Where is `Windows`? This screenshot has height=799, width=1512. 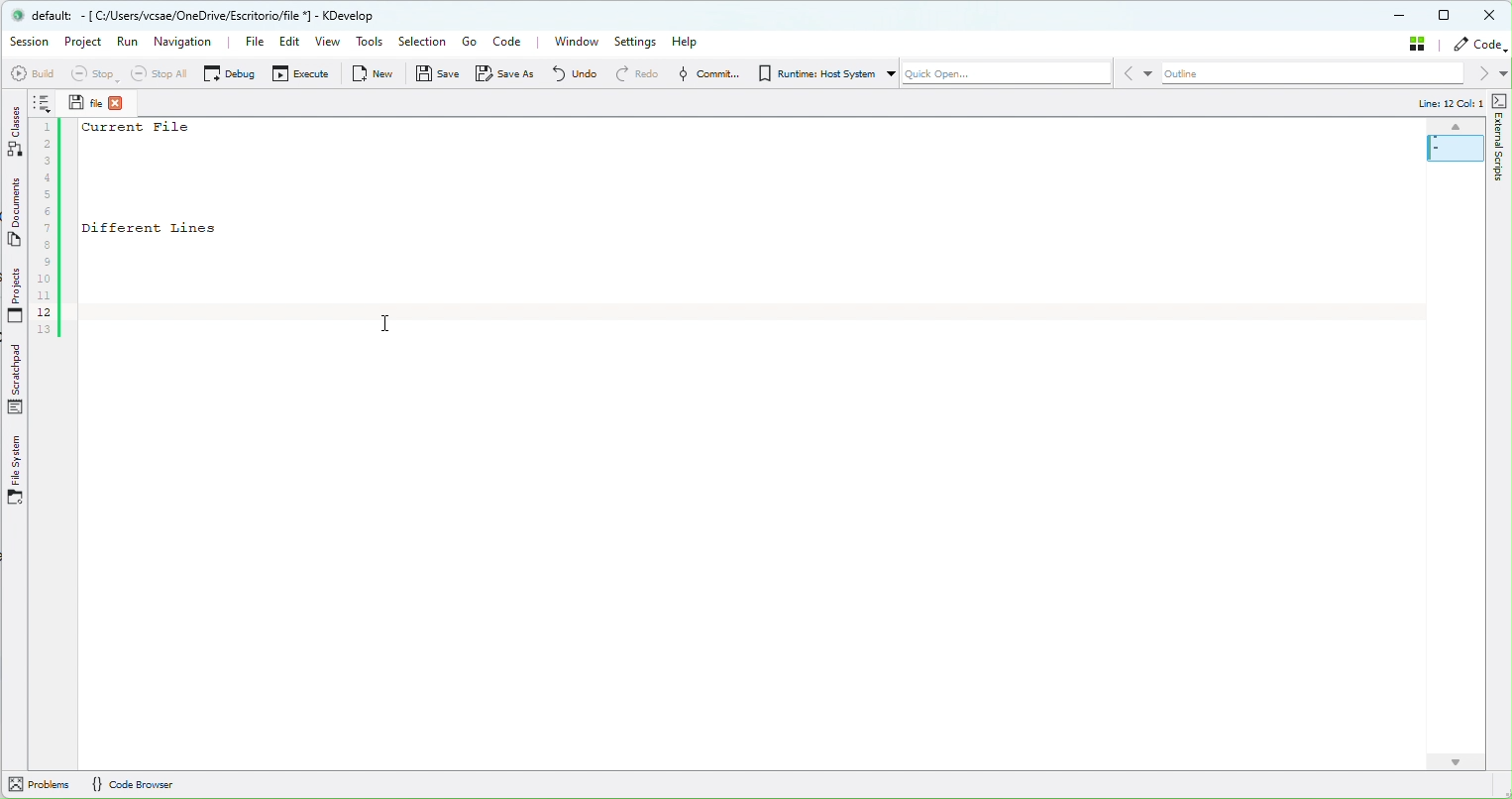
Windows is located at coordinates (579, 44).